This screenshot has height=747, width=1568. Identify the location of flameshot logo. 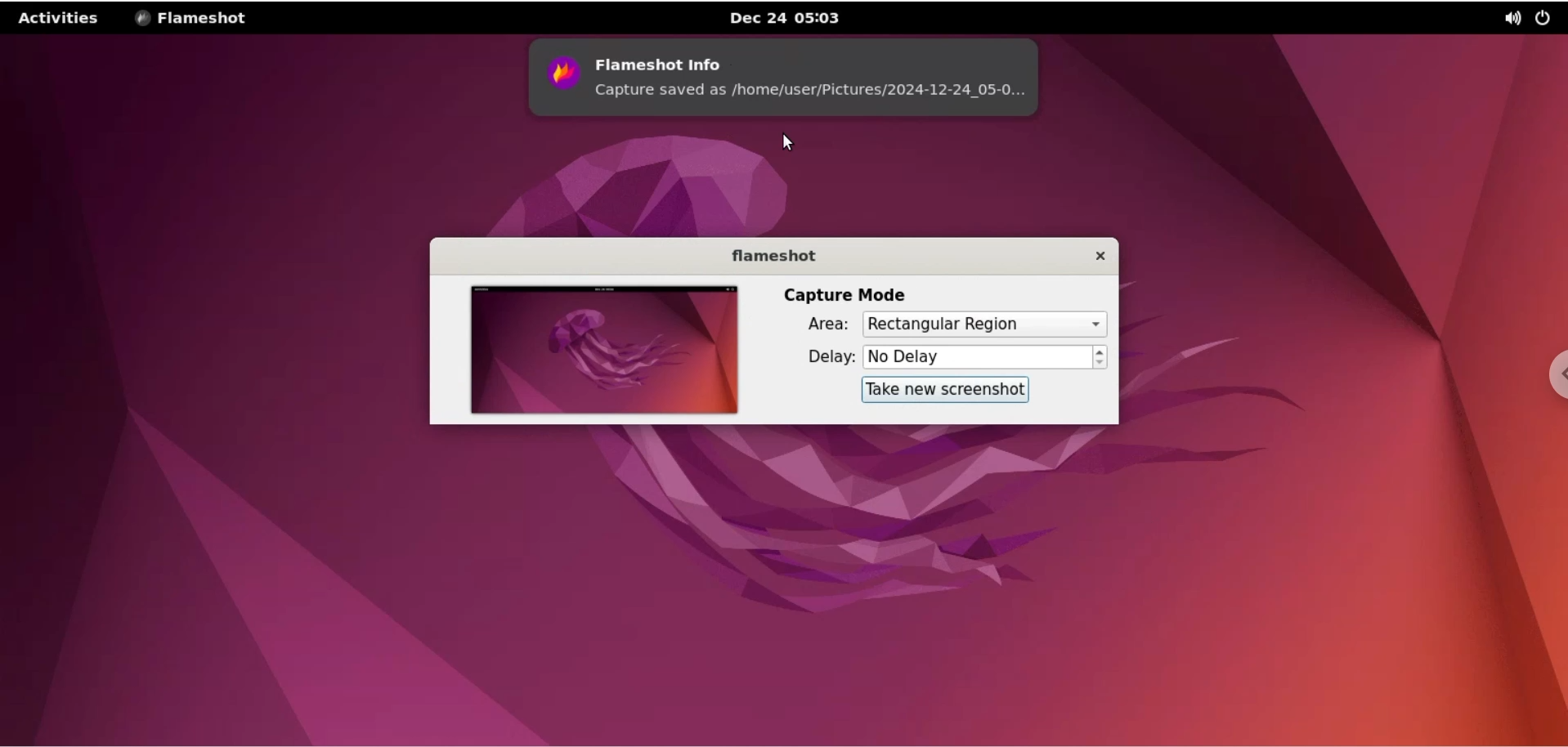
(559, 78).